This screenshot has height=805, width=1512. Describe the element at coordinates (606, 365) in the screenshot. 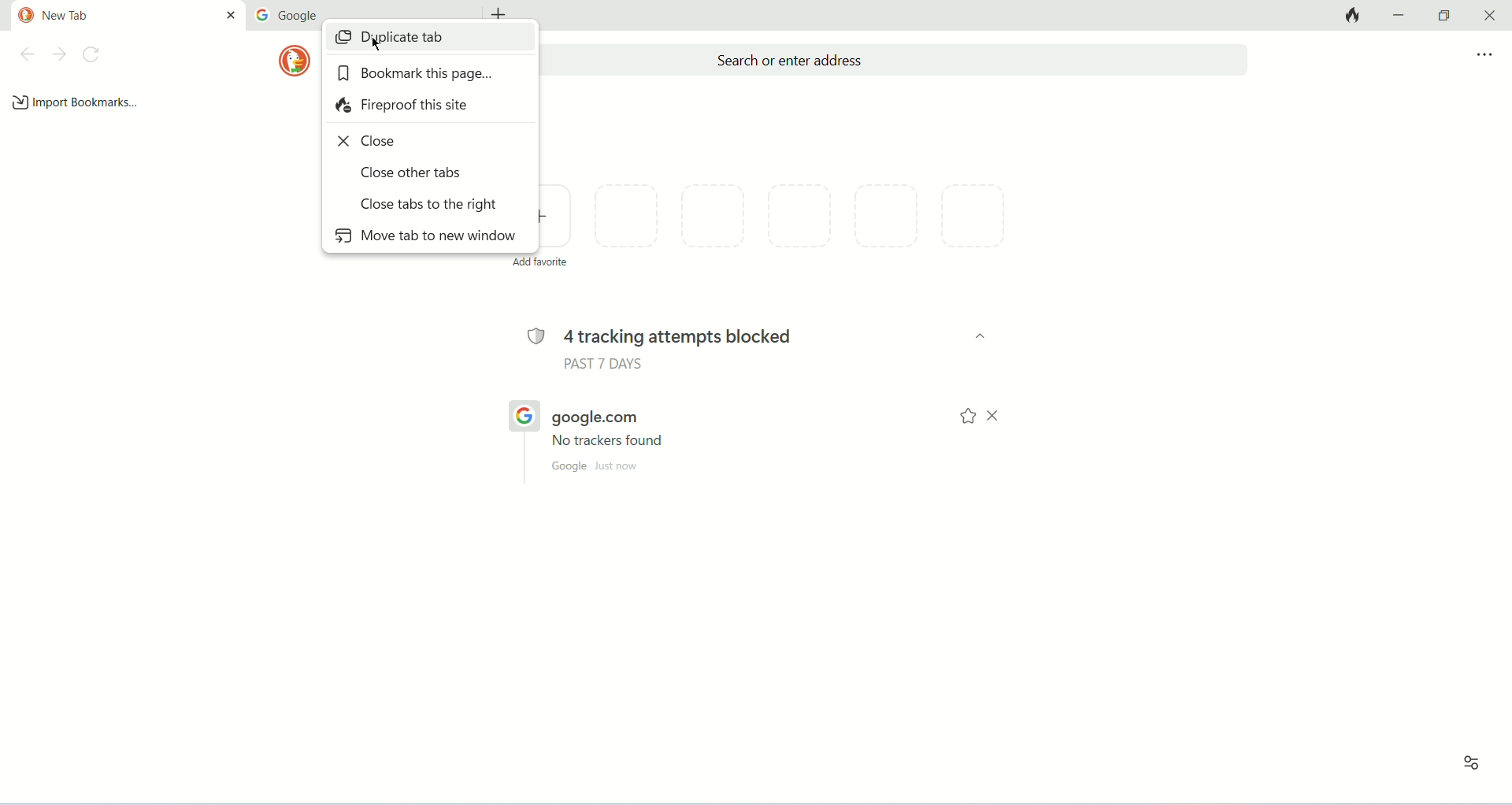

I see `past 7 days` at that location.